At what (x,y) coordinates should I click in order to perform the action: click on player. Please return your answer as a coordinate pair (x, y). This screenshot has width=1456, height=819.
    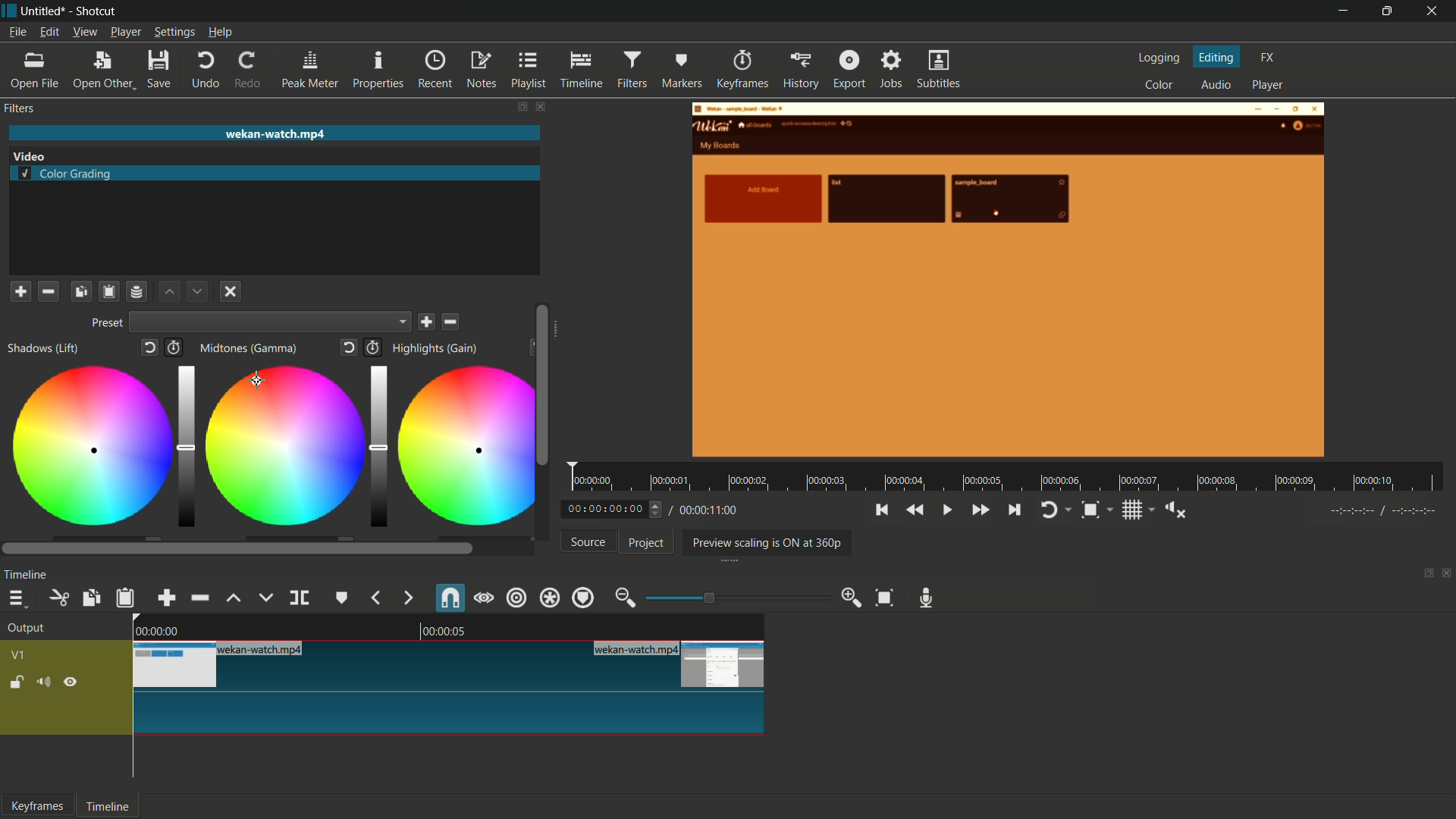
    Looking at the image, I should click on (1270, 85).